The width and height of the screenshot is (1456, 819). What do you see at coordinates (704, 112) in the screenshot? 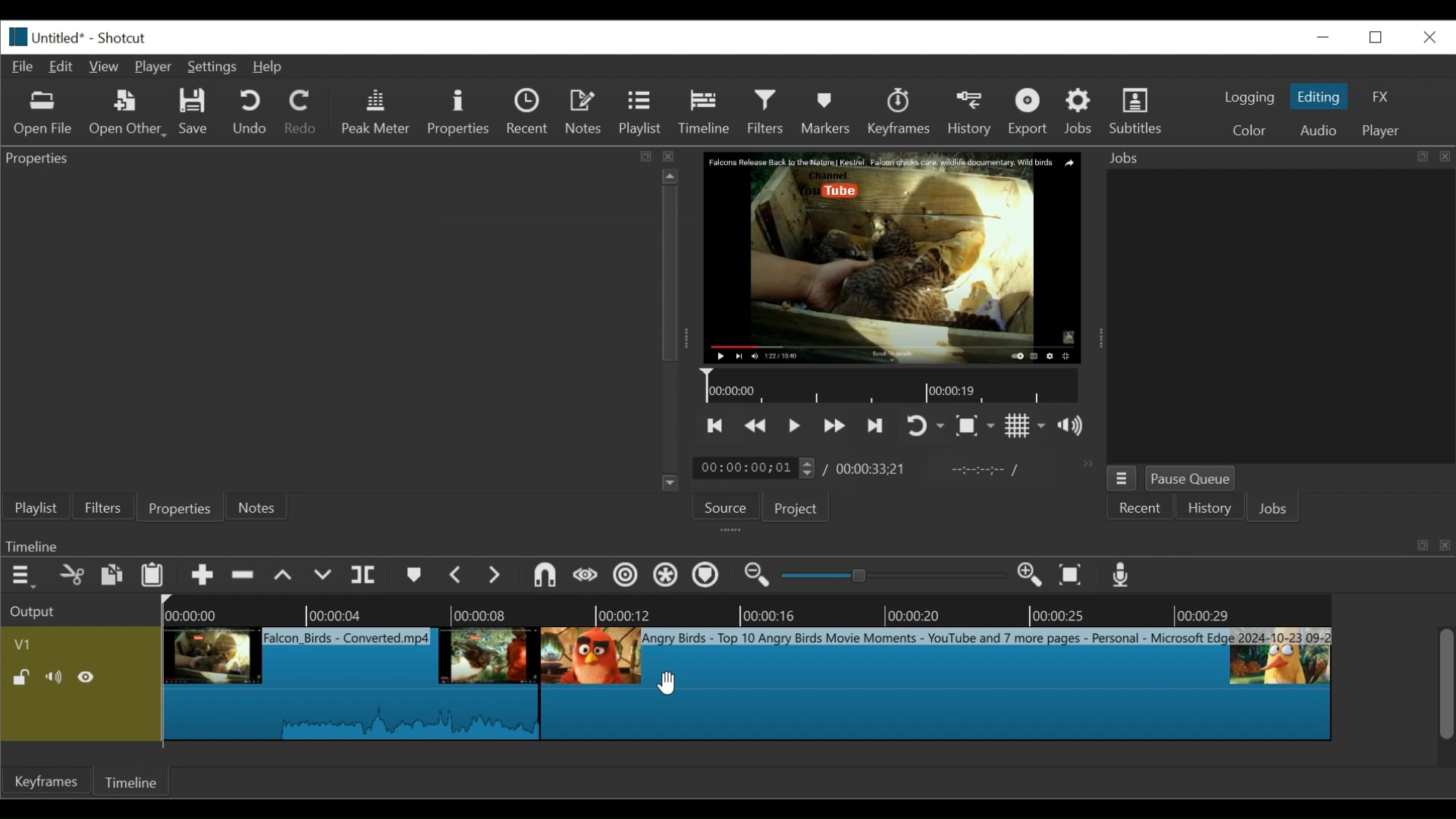
I see `Timeline` at bounding box center [704, 112].